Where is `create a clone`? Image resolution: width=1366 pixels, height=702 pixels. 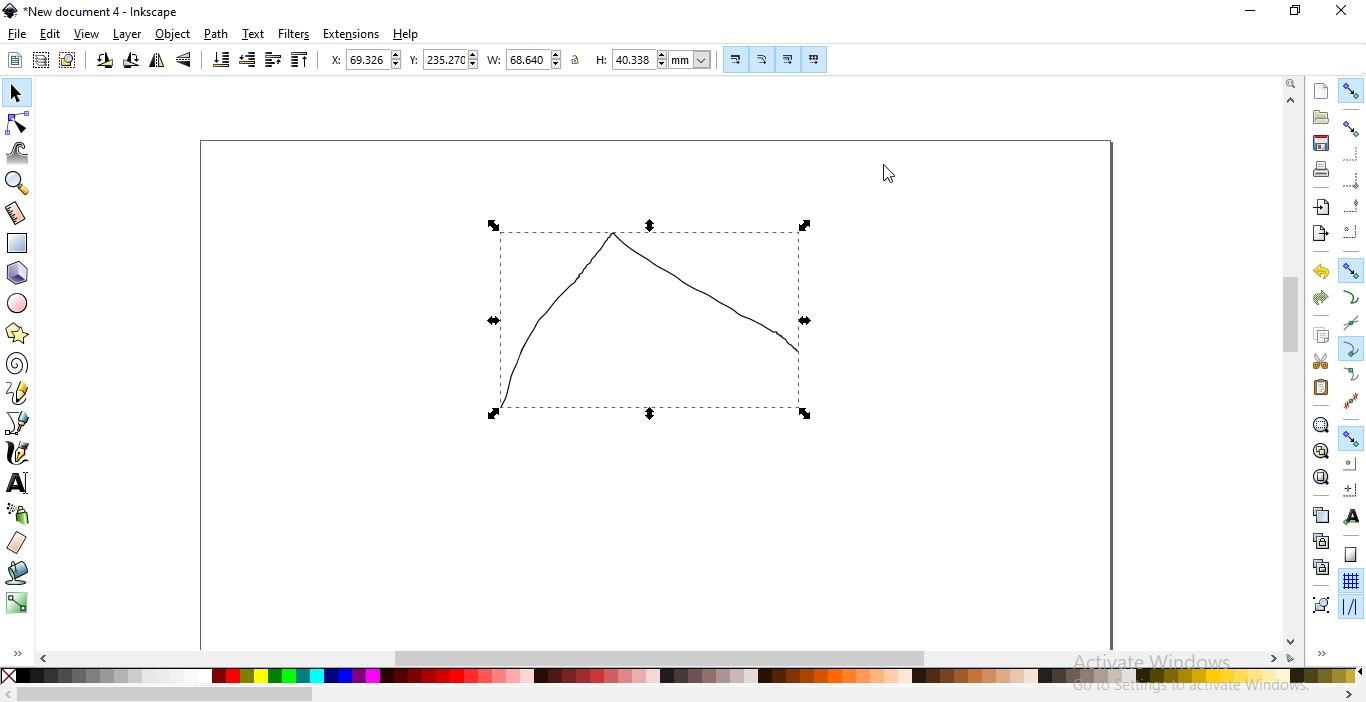 create a clone is located at coordinates (1320, 540).